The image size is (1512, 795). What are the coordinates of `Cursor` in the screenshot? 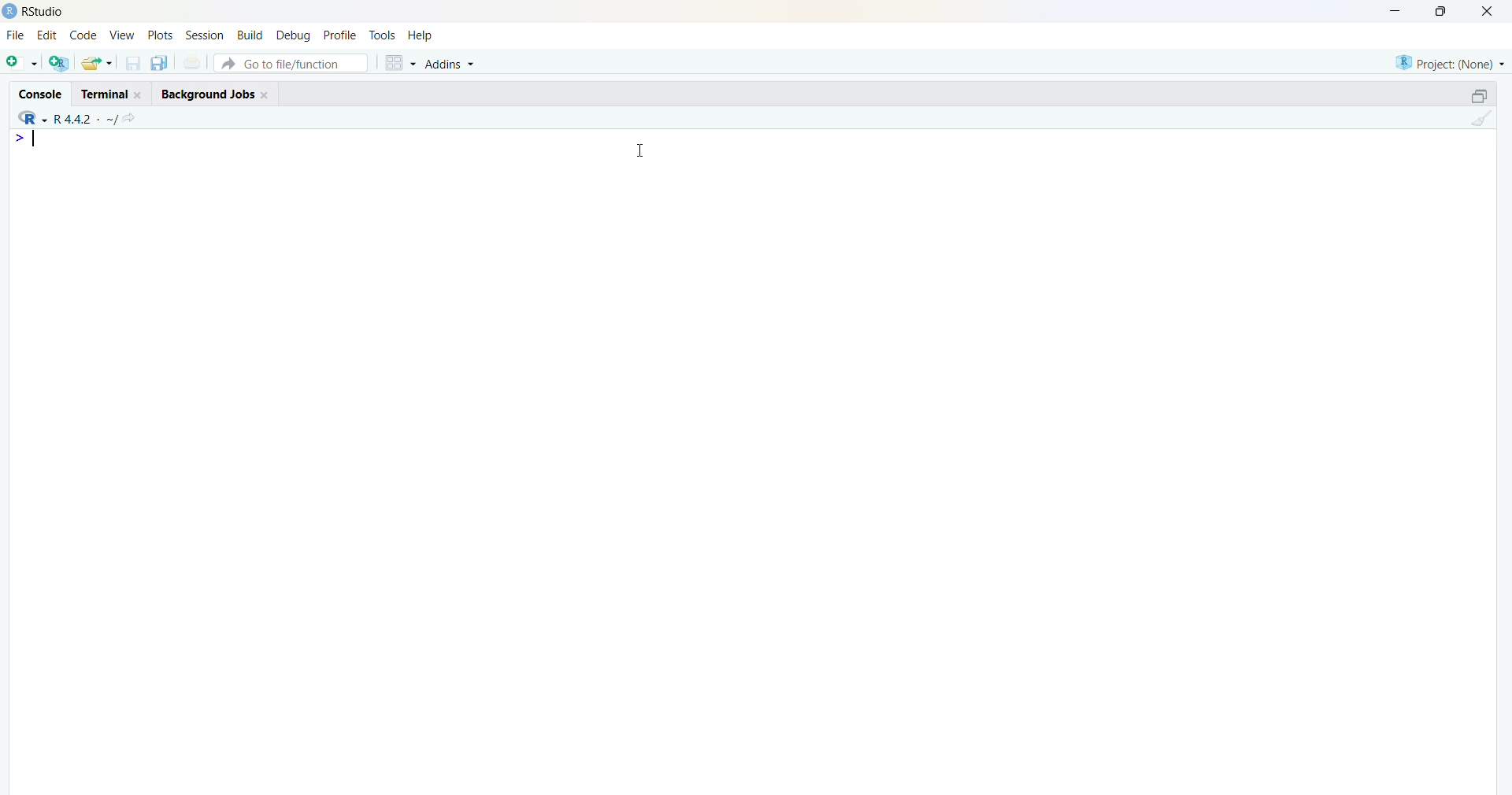 It's located at (641, 148).